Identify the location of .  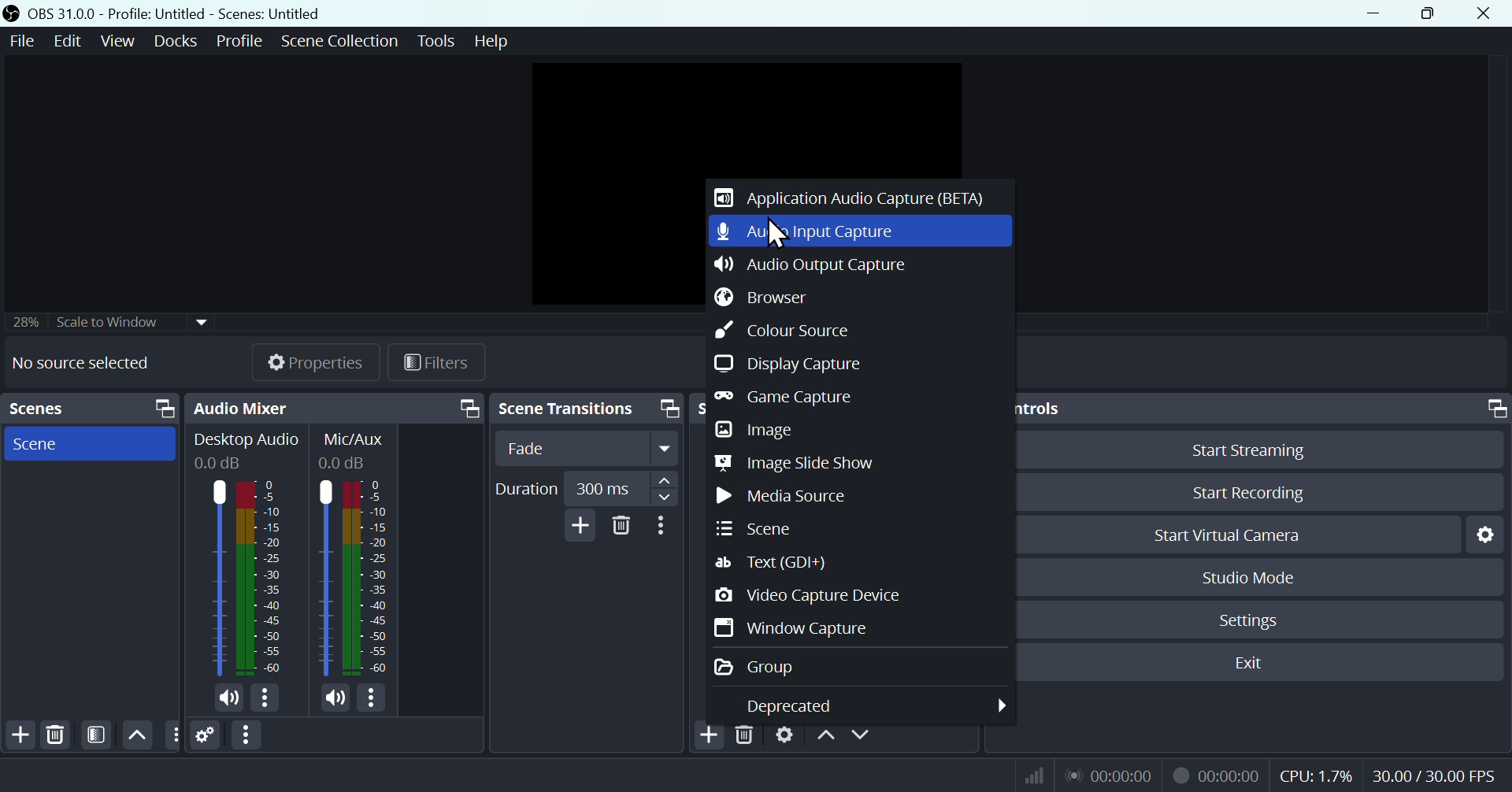
(357, 439).